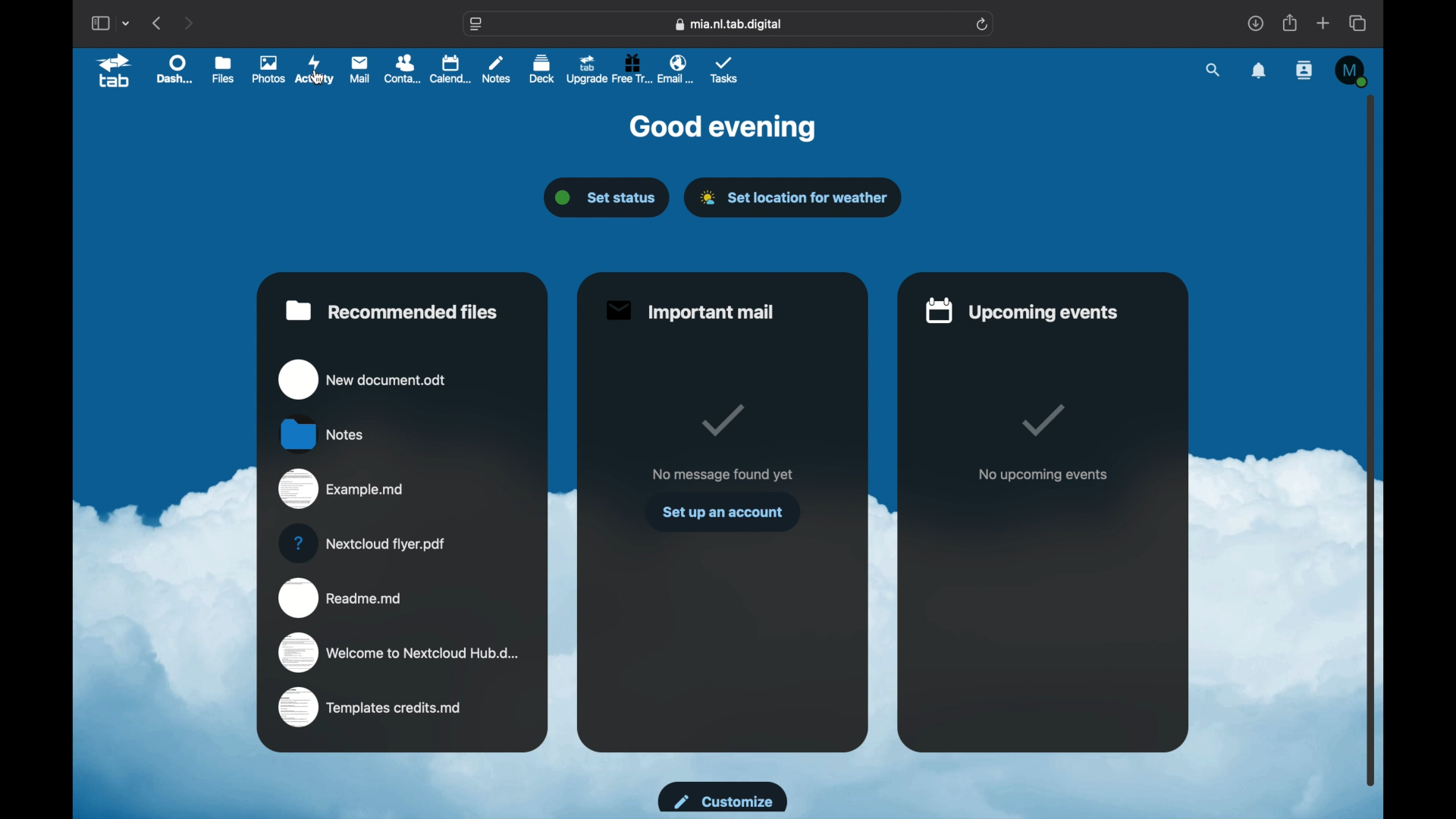  What do you see at coordinates (361, 380) in the screenshot?
I see `new document` at bounding box center [361, 380].